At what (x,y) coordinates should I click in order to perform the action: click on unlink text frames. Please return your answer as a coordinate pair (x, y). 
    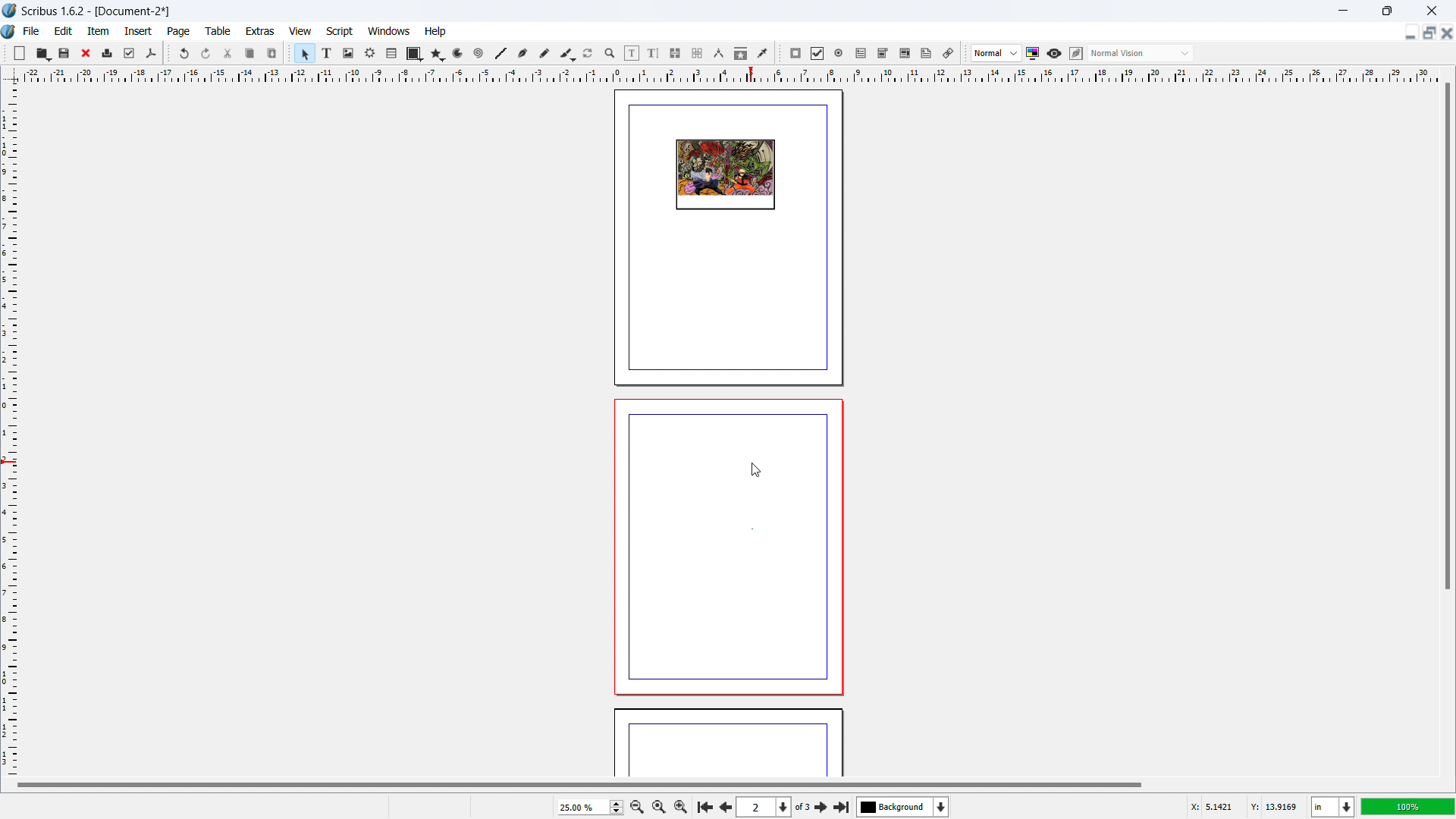
    Looking at the image, I should click on (697, 54).